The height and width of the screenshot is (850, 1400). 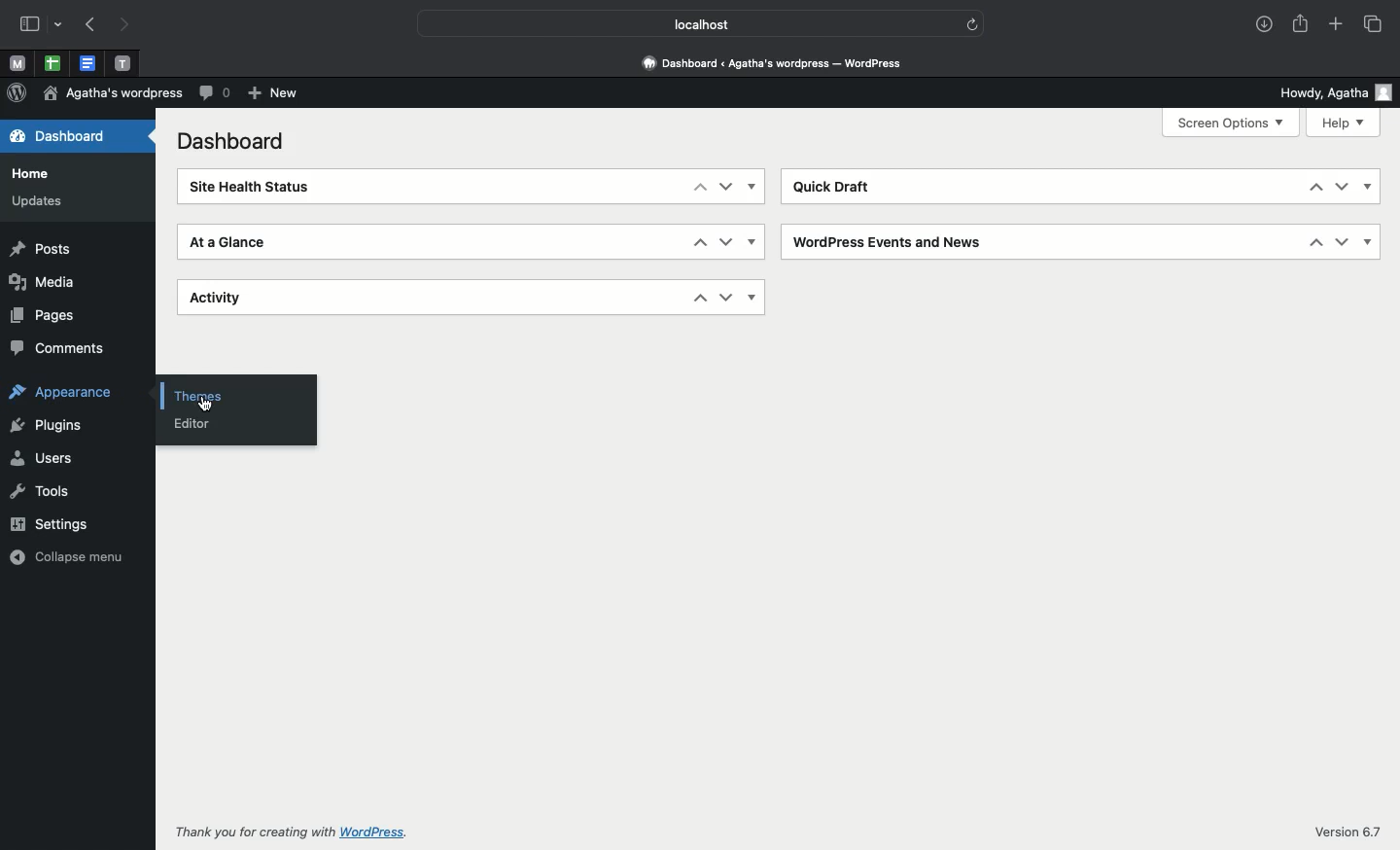 I want to click on Show, so click(x=1370, y=240).